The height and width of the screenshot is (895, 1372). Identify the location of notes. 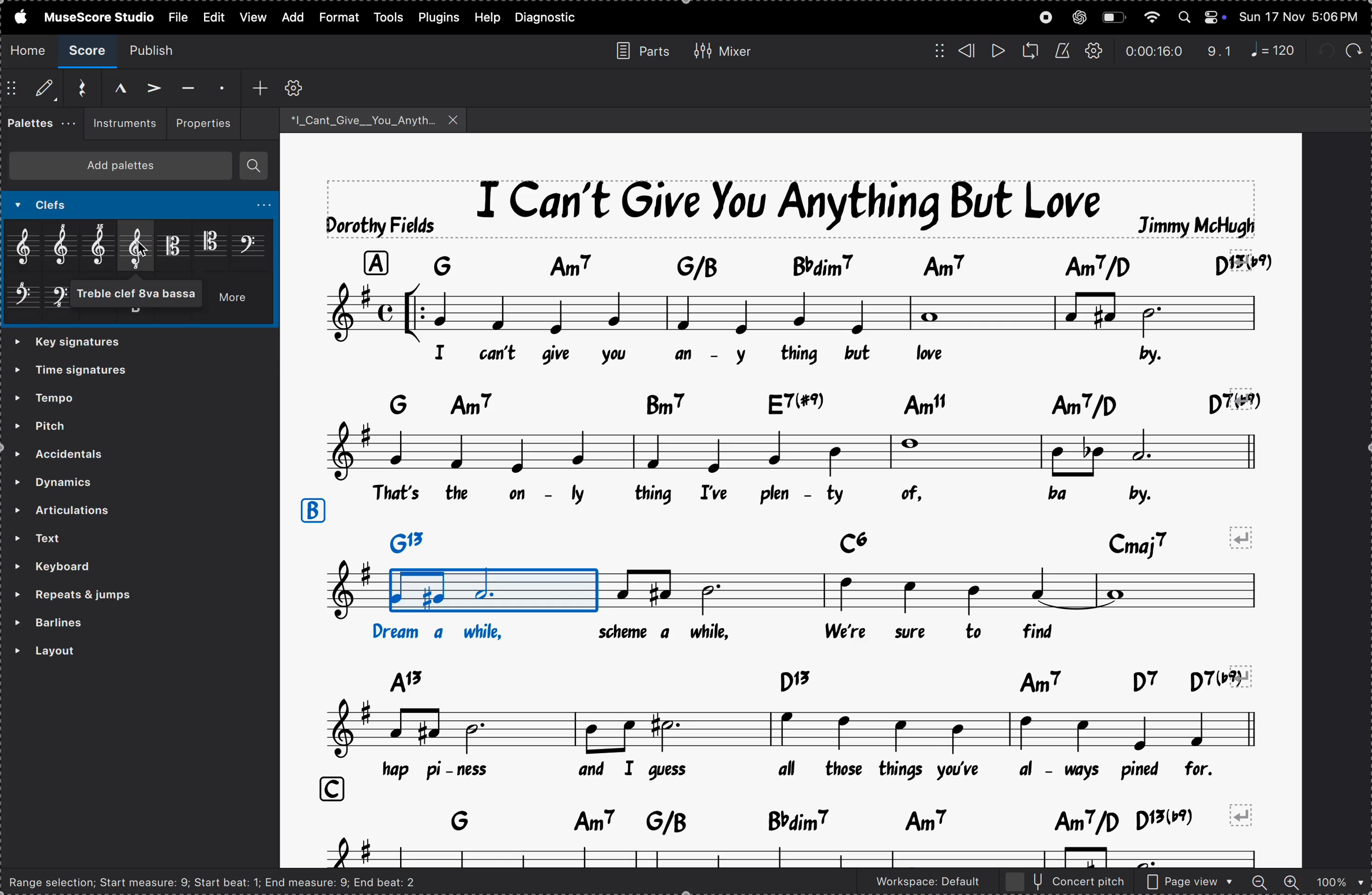
(777, 592).